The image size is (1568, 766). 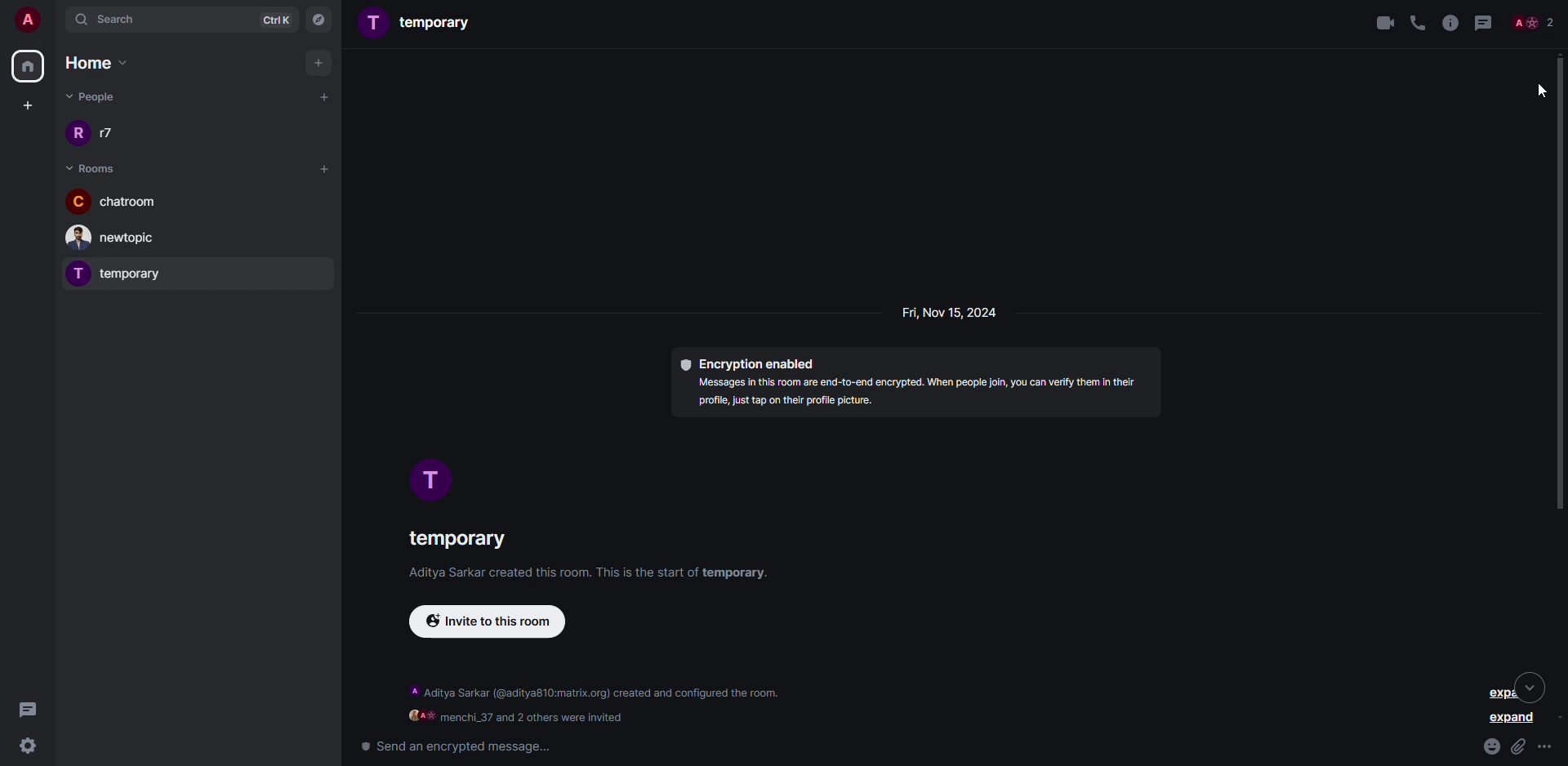 What do you see at coordinates (454, 746) in the screenshot?
I see `send an encrypted message` at bounding box center [454, 746].